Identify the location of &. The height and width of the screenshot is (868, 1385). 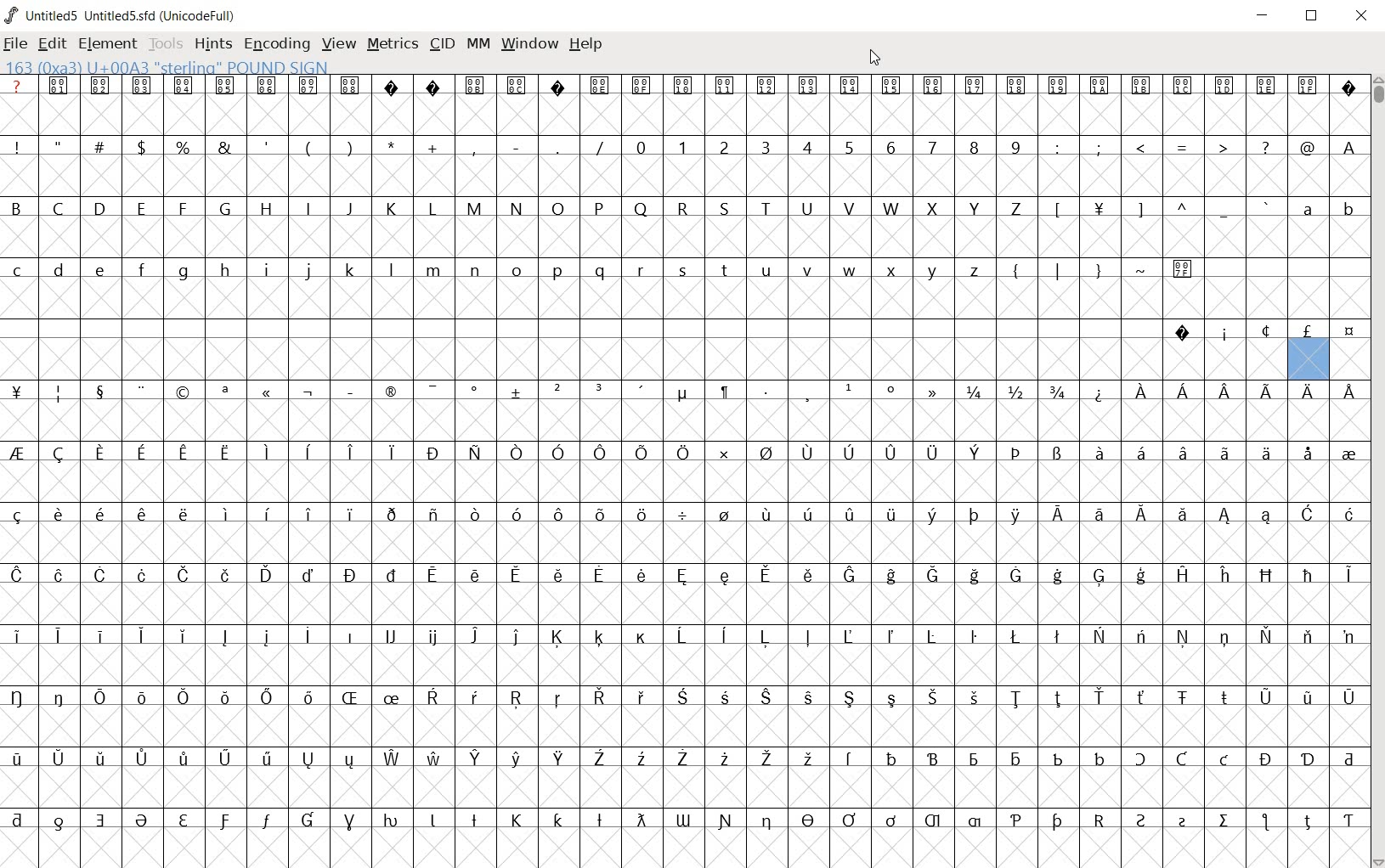
(227, 146).